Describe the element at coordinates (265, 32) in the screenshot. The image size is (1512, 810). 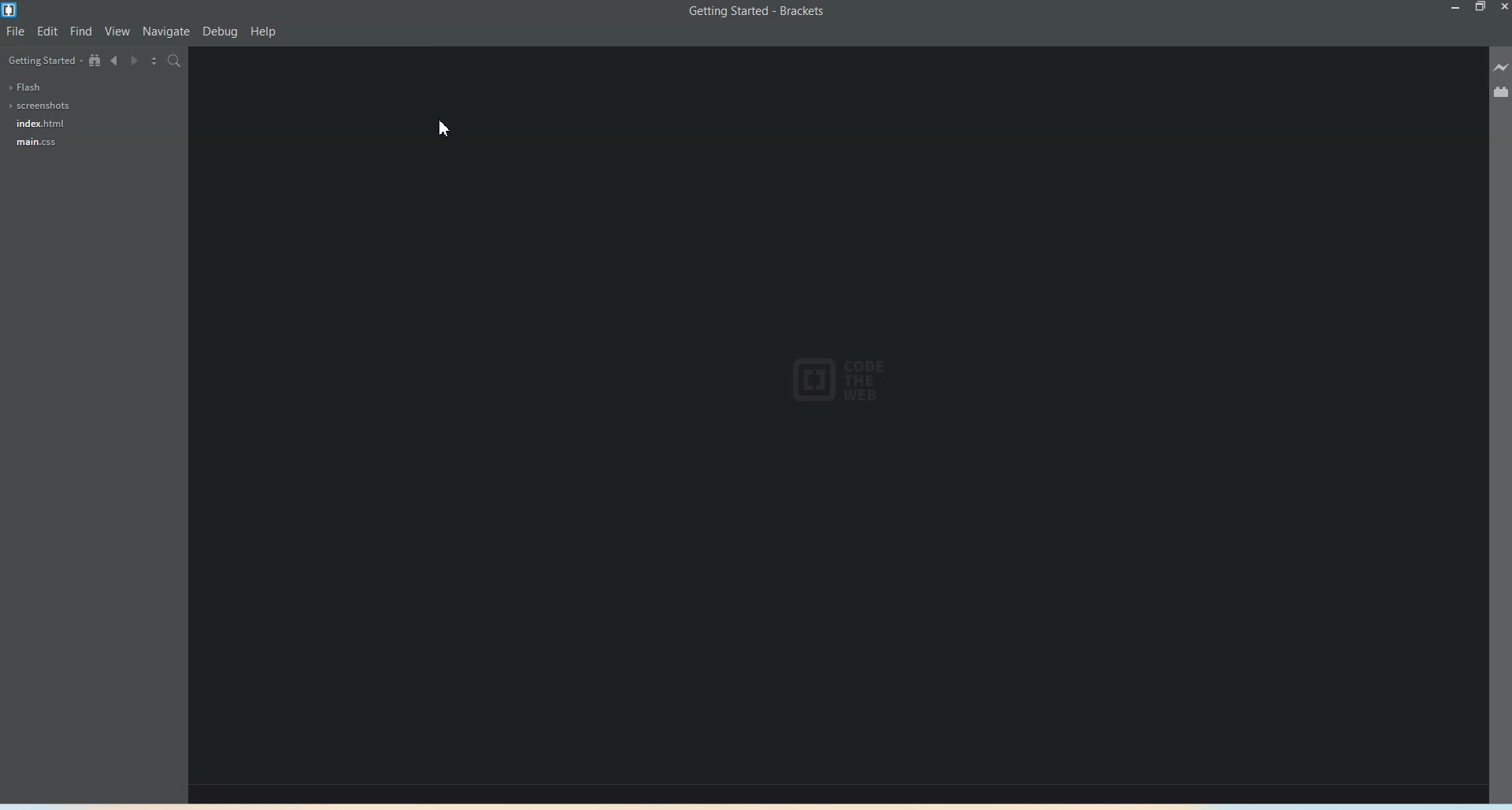
I see `Help` at that location.